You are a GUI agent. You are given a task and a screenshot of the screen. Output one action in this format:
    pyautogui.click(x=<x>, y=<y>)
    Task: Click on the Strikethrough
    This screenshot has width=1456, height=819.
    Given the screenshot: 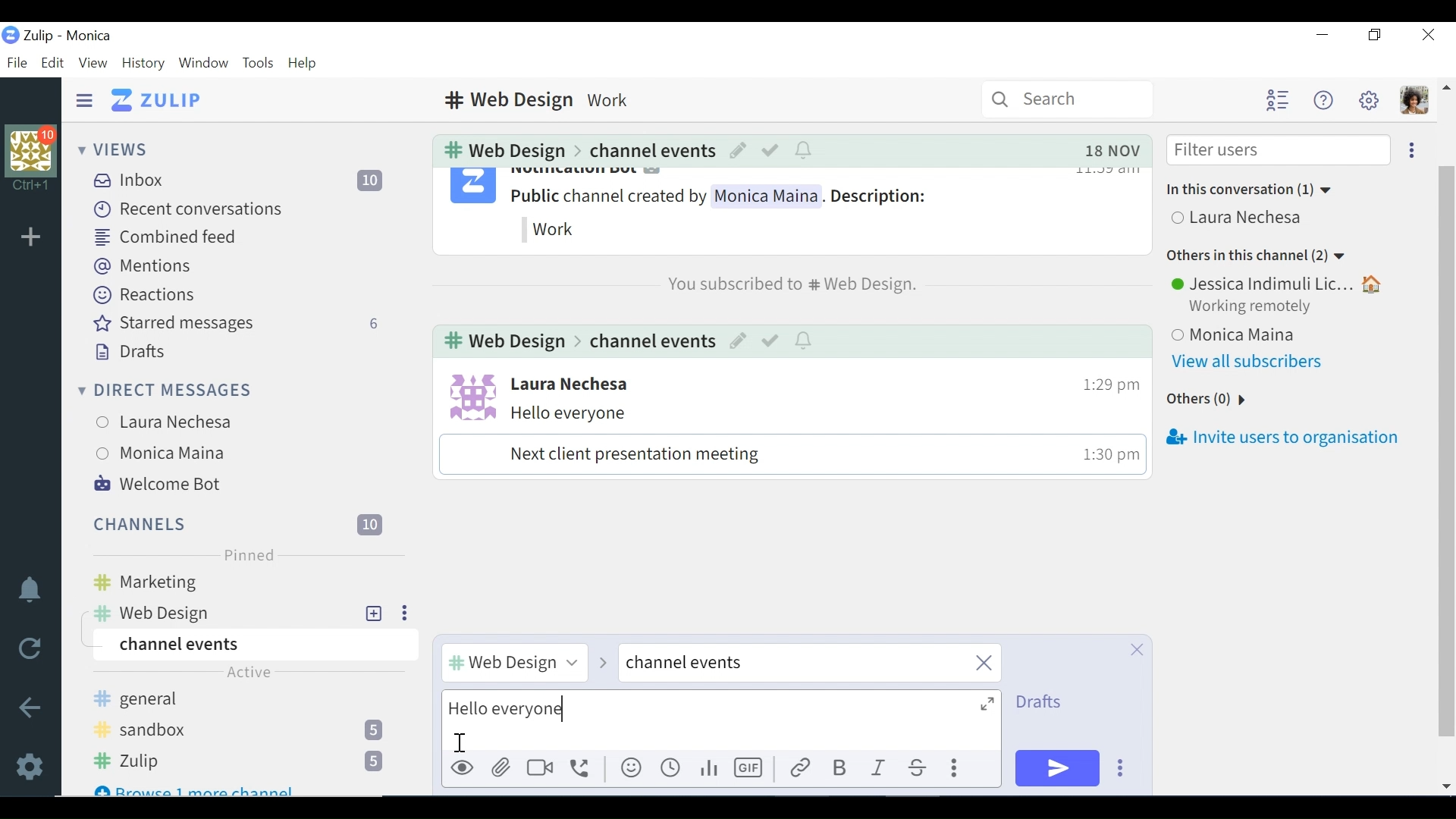 What is the action you would take?
    pyautogui.click(x=918, y=769)
    